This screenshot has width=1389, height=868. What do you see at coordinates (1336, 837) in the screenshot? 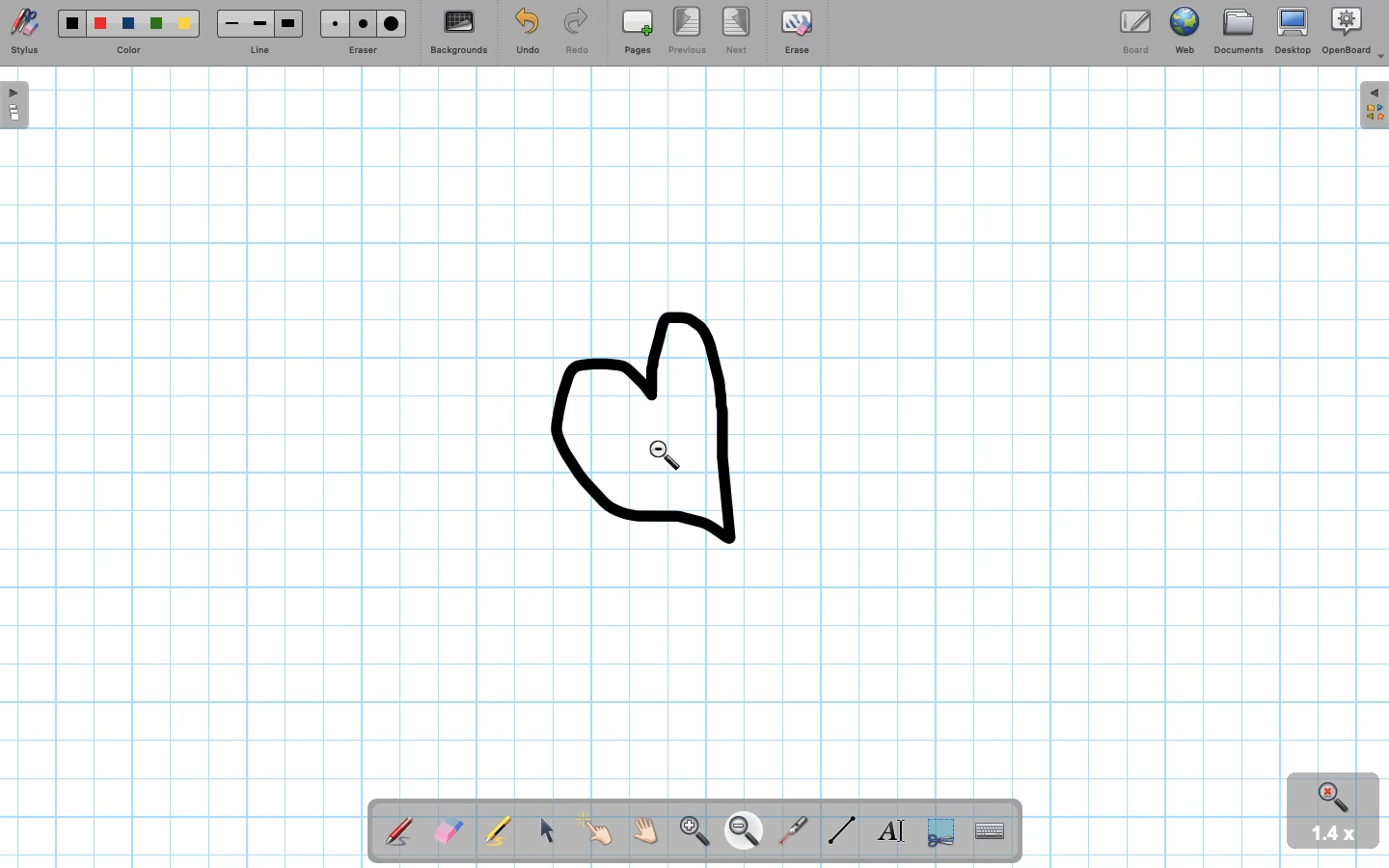
I see `1.4x zoom` at bounding box center [1336, 837].